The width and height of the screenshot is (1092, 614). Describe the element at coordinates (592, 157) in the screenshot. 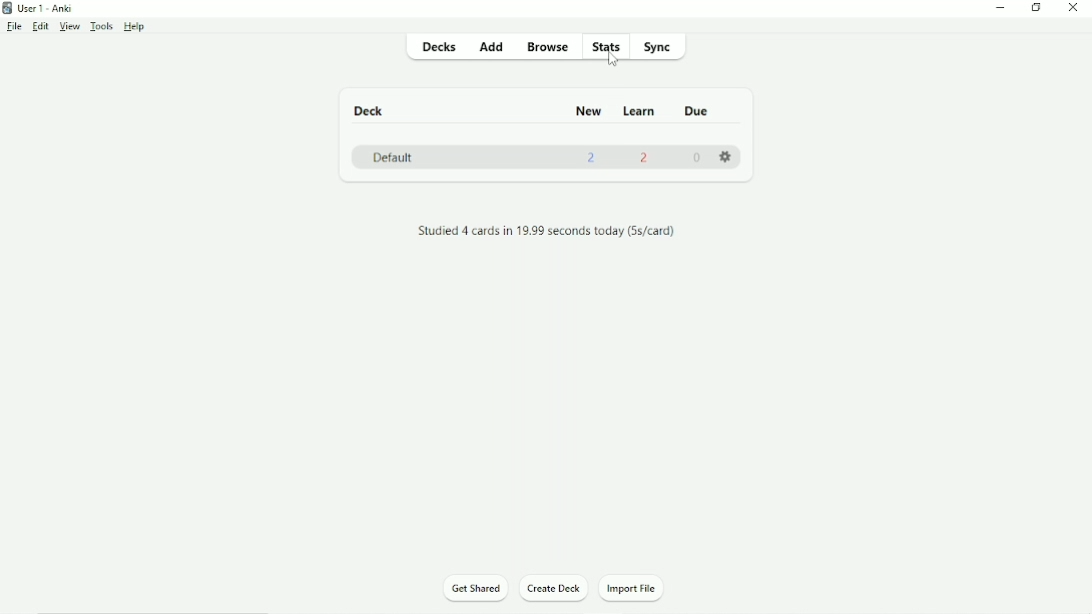

I see `2` at that location.